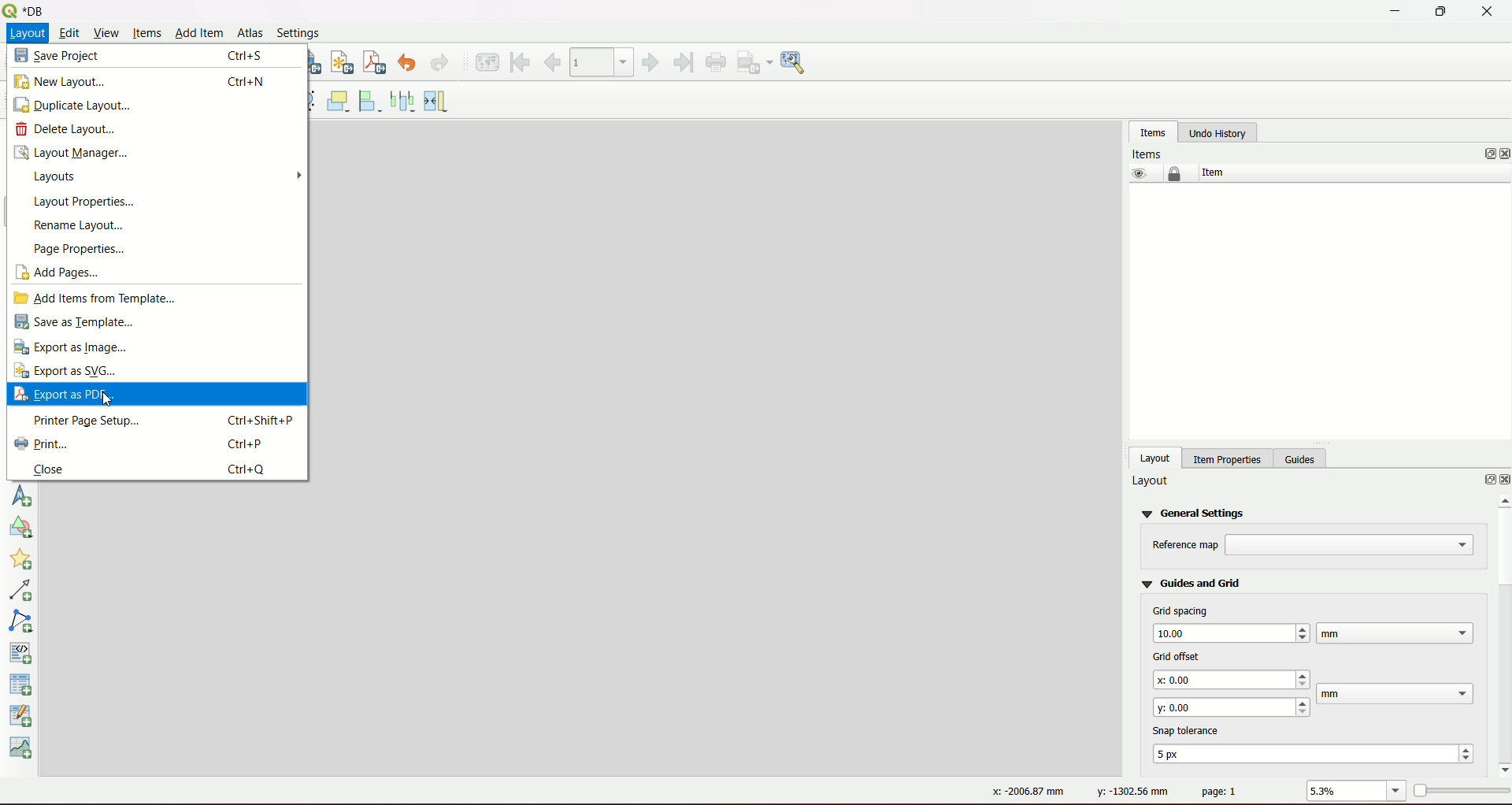 The height and width of the screenshot is (805, 1512). Describe the element at coordinates (1022, 792) in the screenshot. I see `dimension` at that location.